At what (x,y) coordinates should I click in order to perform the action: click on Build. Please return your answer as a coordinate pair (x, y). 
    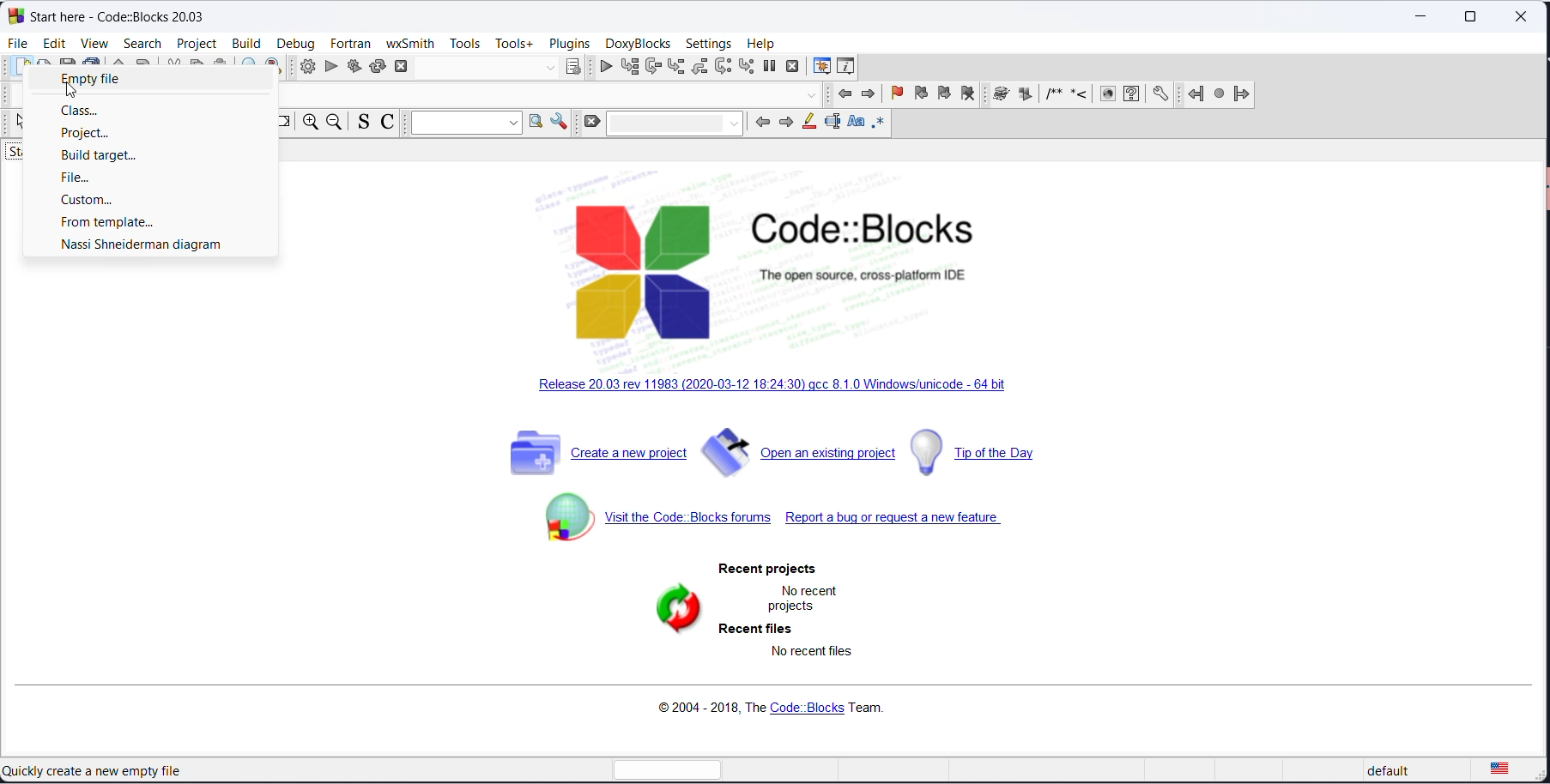
    Looking at the image, I should click on (245, 41).